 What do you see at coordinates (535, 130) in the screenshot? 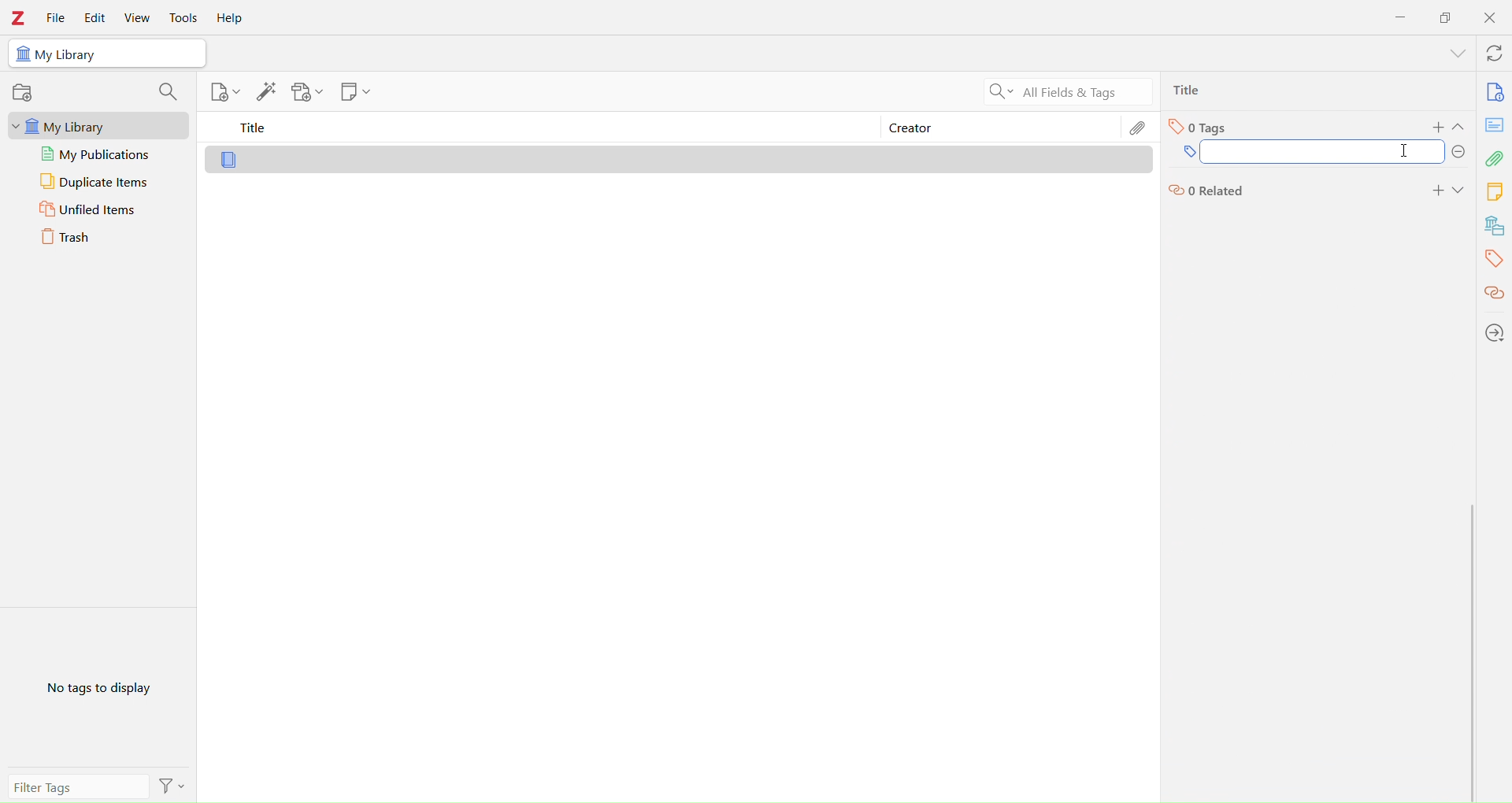
I see `Title` at bounding box center [535, 130].